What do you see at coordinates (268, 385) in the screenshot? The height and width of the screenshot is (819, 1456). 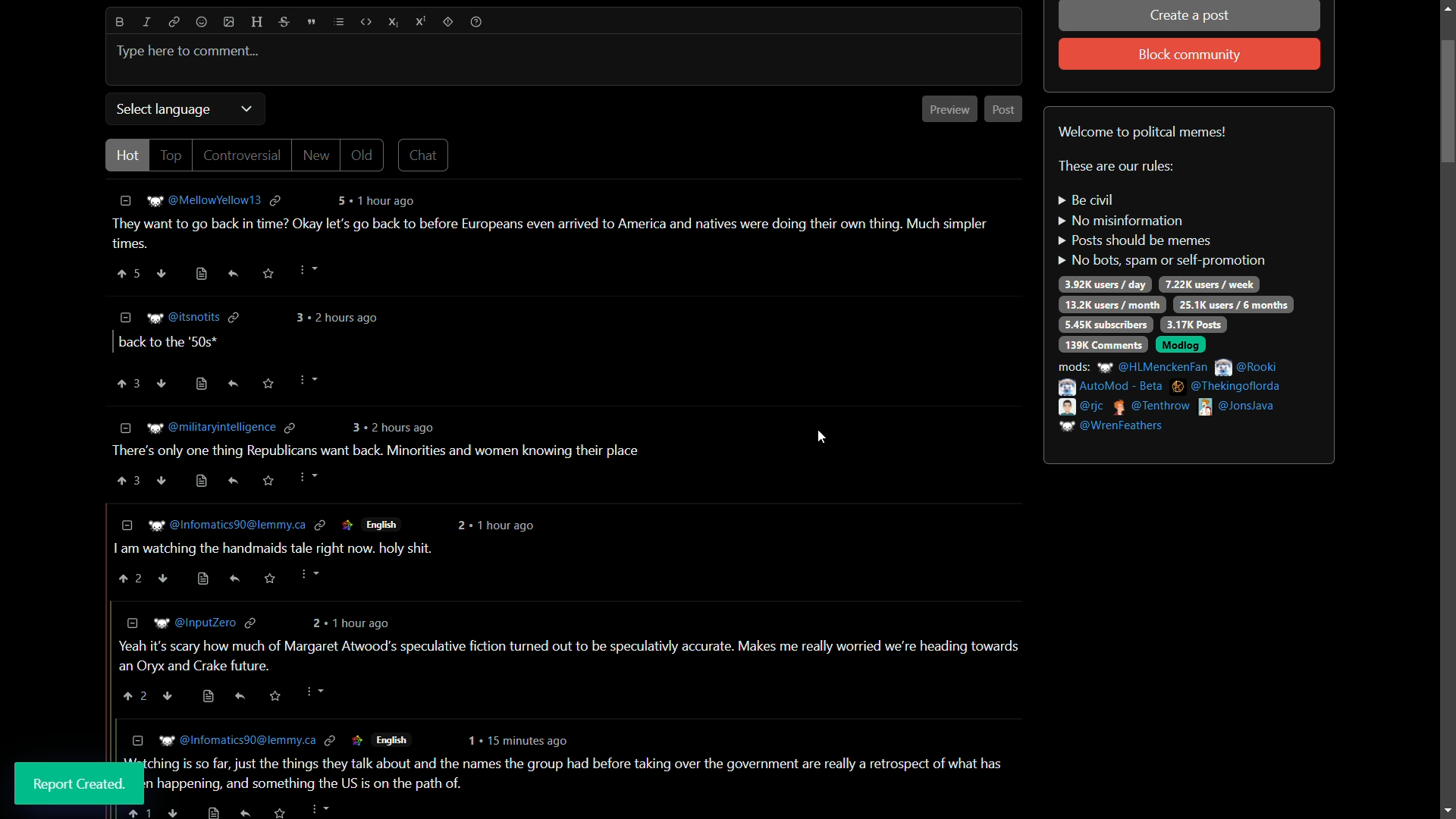 I see `save` at bounding box center [268, 385].